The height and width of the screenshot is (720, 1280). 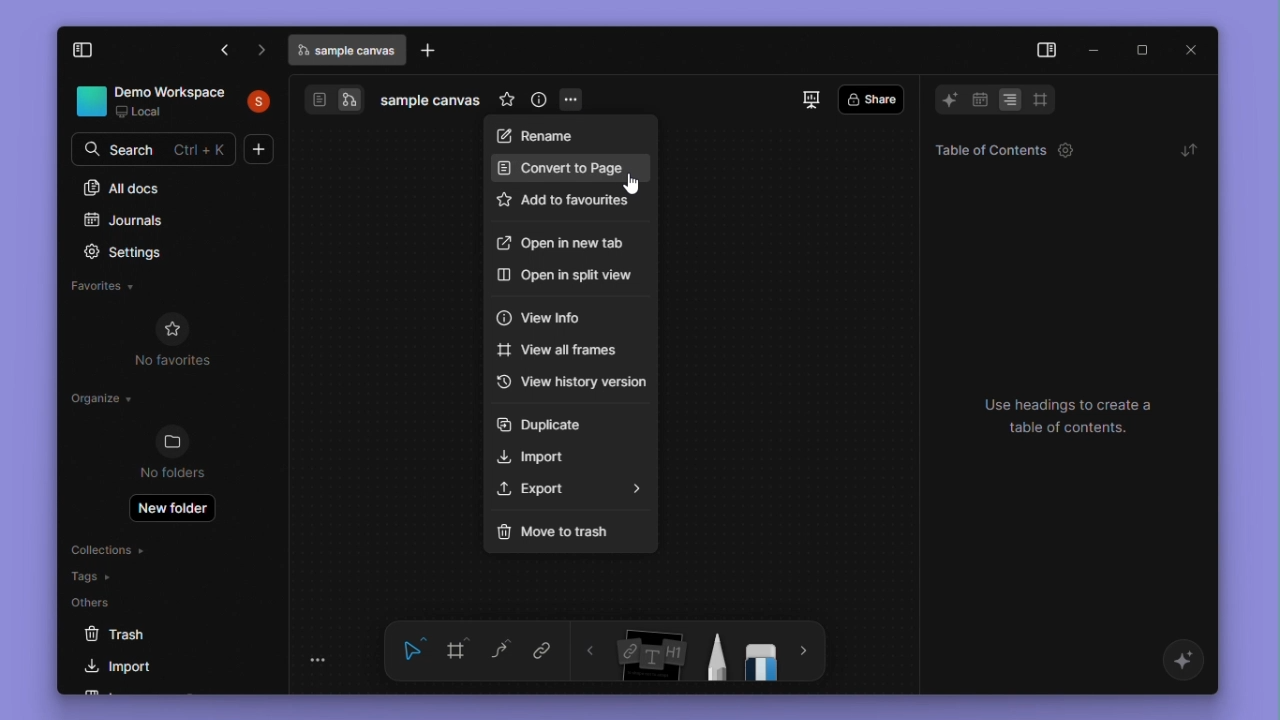 I want to click on View all frames, so click(x=559, y=354).